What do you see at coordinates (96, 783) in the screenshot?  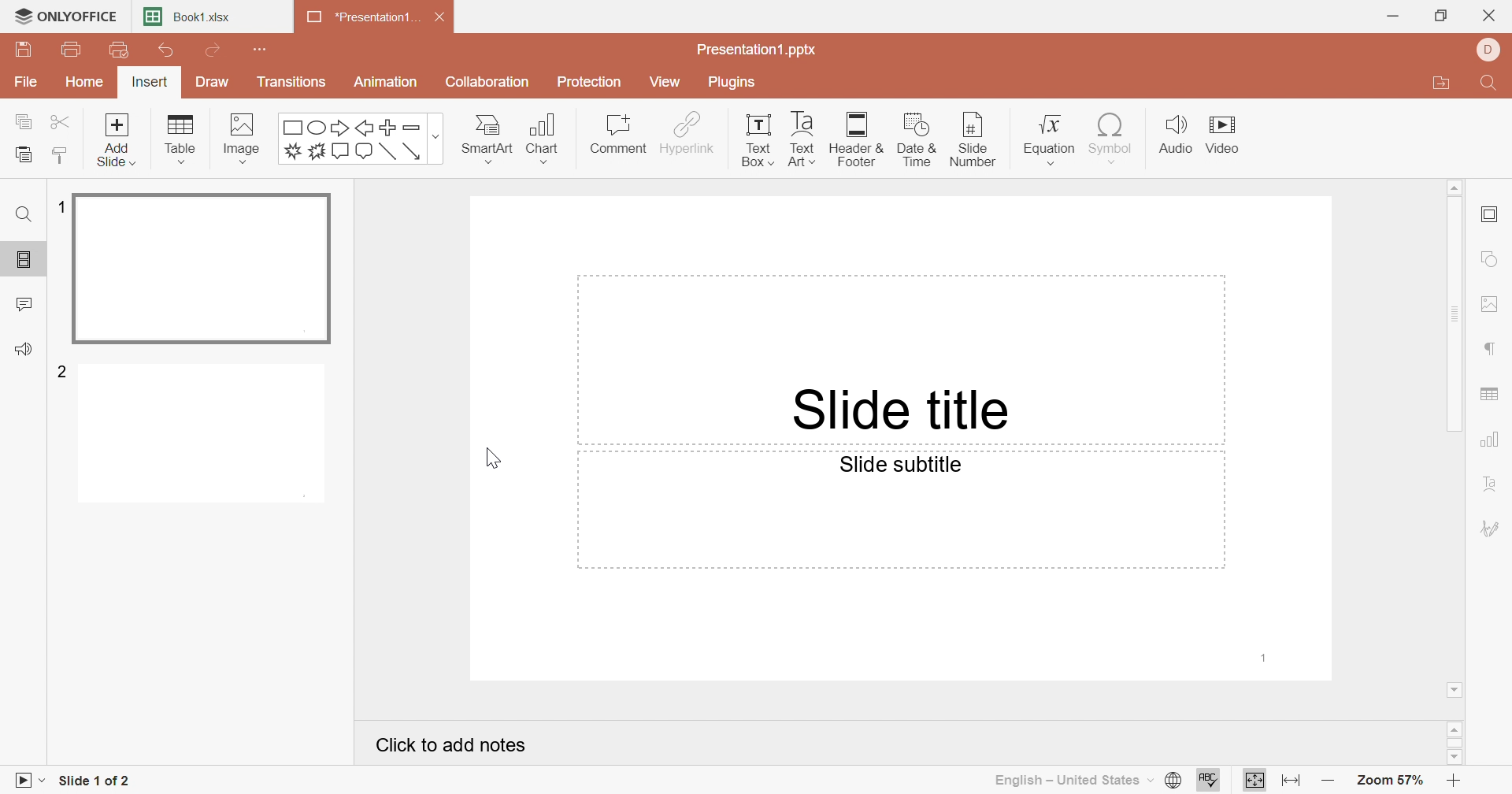 I see `Slide 1 of 2` at bounding box center [96, 783].